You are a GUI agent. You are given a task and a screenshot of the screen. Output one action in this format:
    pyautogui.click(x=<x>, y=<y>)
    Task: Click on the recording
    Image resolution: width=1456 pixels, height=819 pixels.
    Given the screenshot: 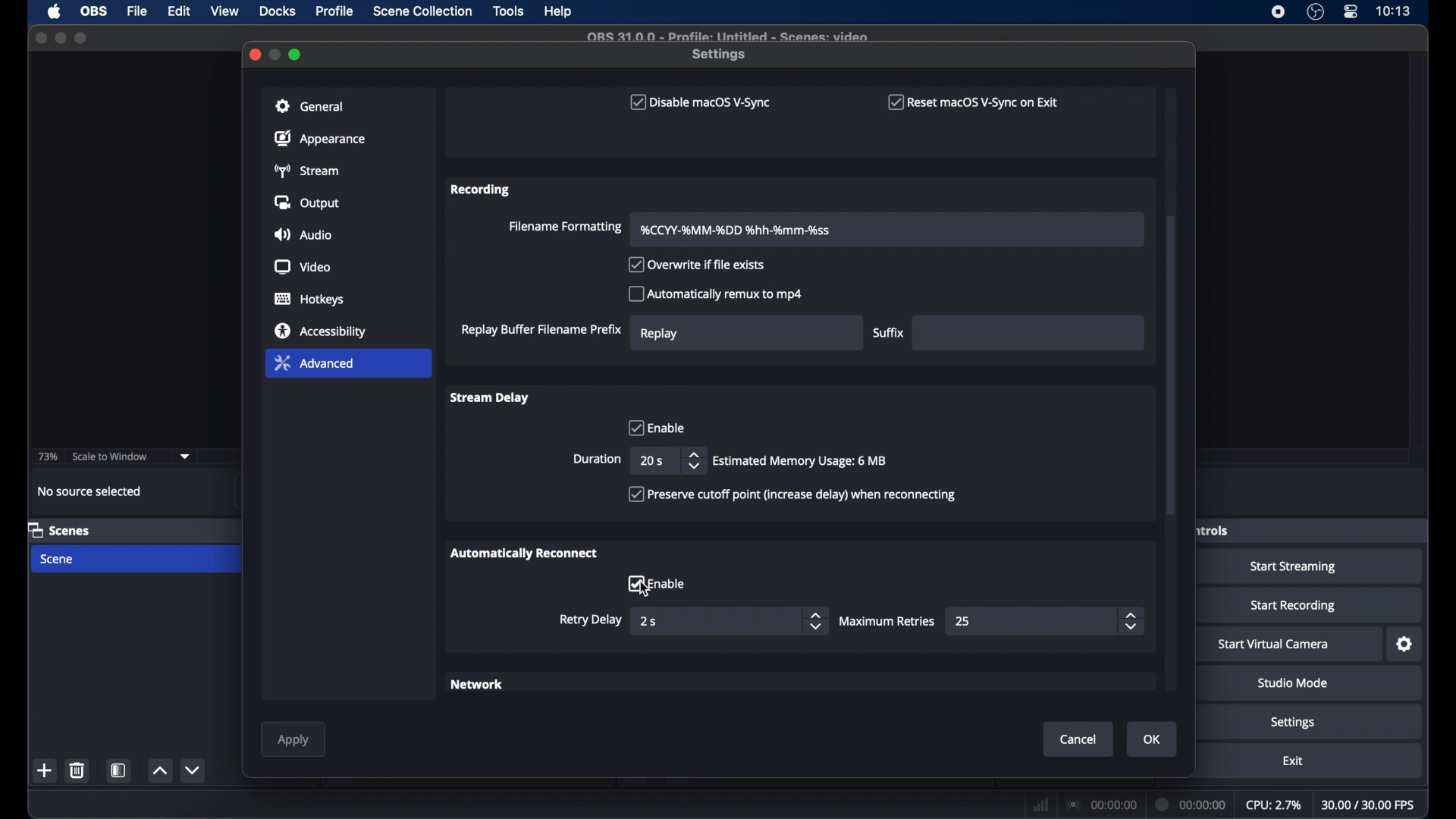 What is the action you would take?
    pyautogui.click(x=482, y=190)
    